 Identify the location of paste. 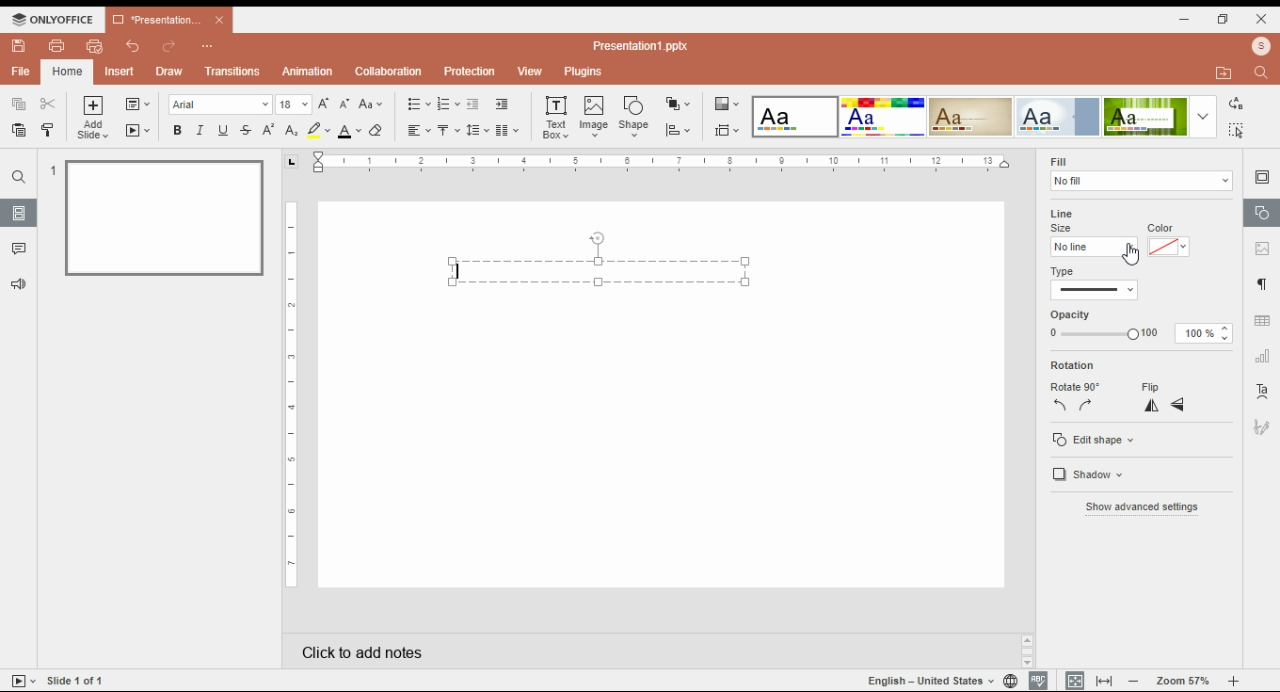
(20, 129).